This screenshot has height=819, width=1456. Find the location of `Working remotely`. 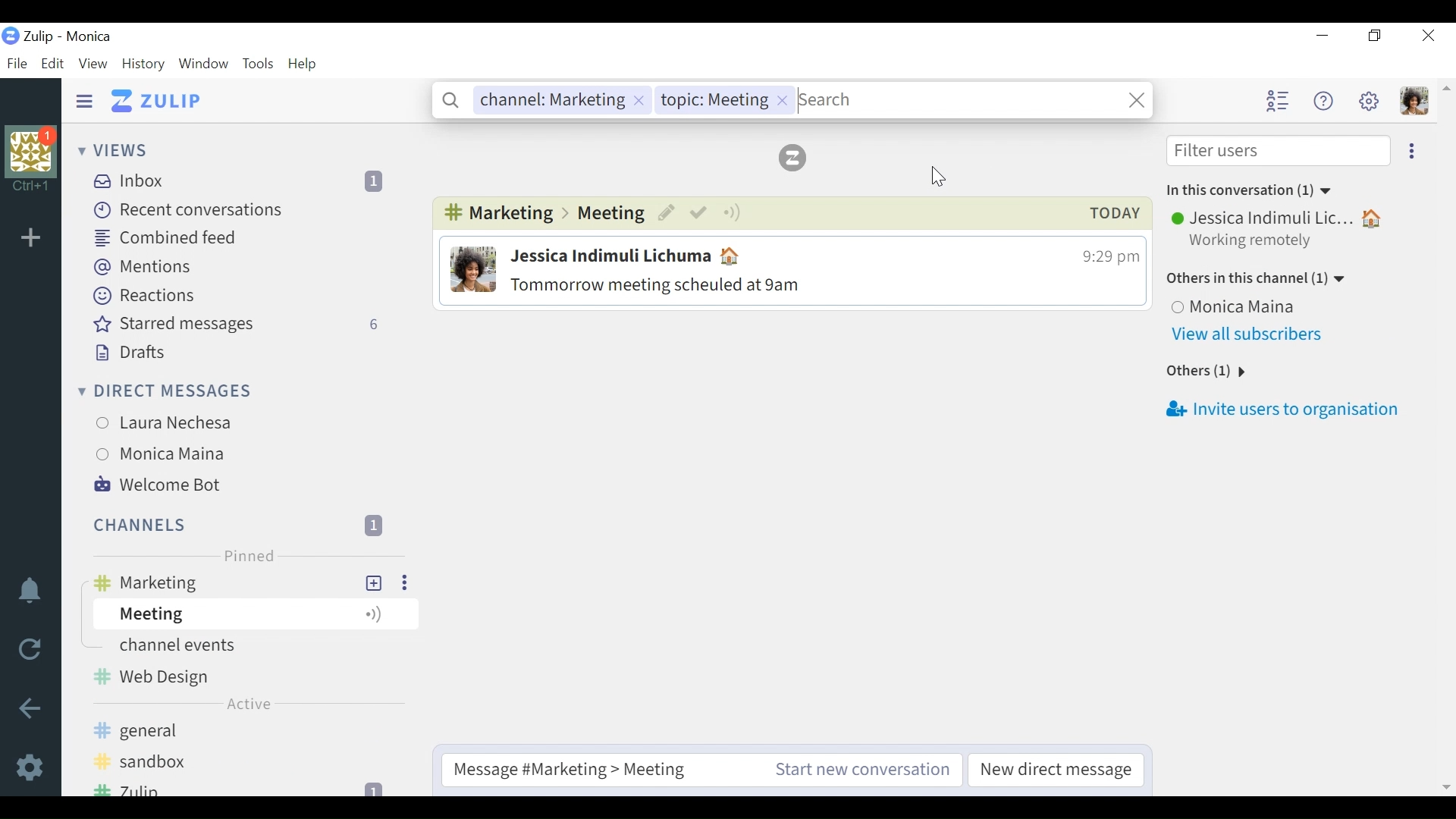

Working remotely is located at coordinates (1250, 242).